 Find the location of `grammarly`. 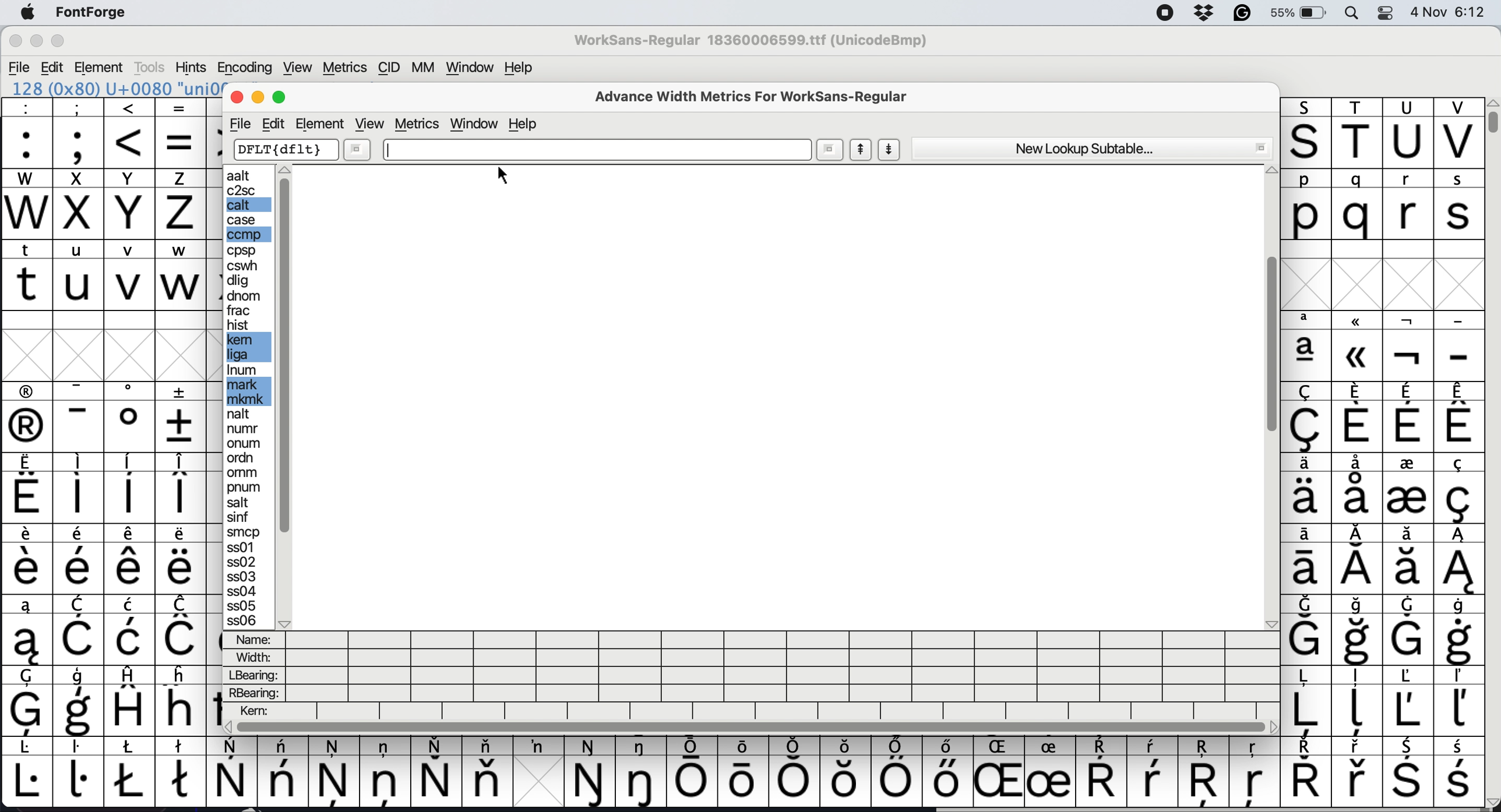

grammarly is located at coordinates (1243, 13).